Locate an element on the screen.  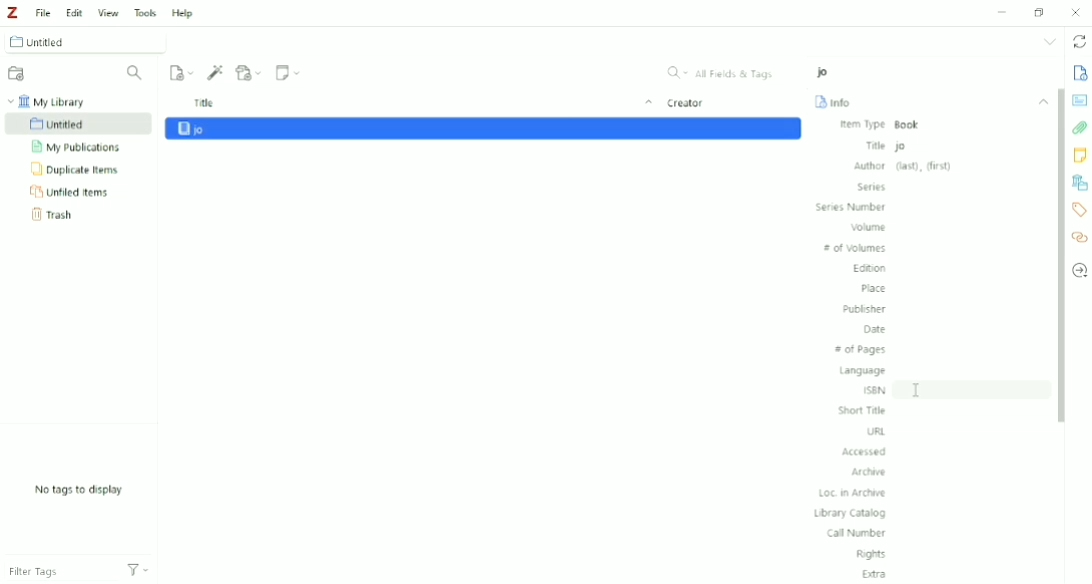
Short Title is located at coordinates (862, 410).